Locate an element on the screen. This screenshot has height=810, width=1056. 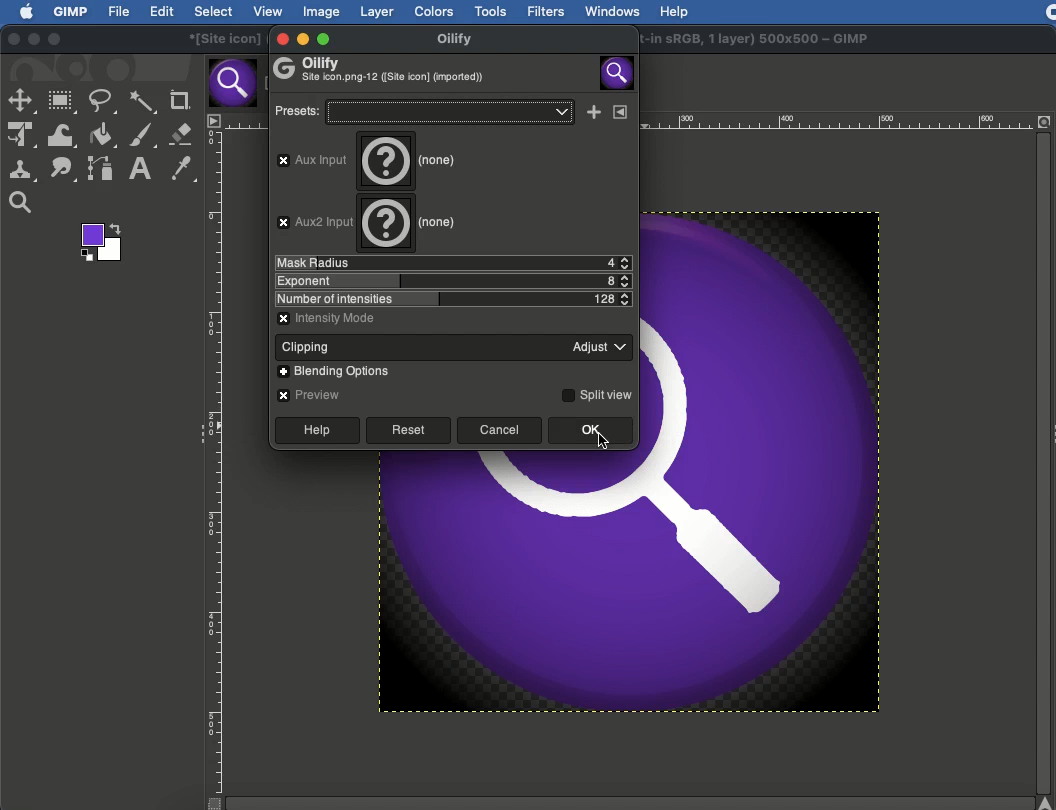
Cancel is located at coordinates (499, 432).